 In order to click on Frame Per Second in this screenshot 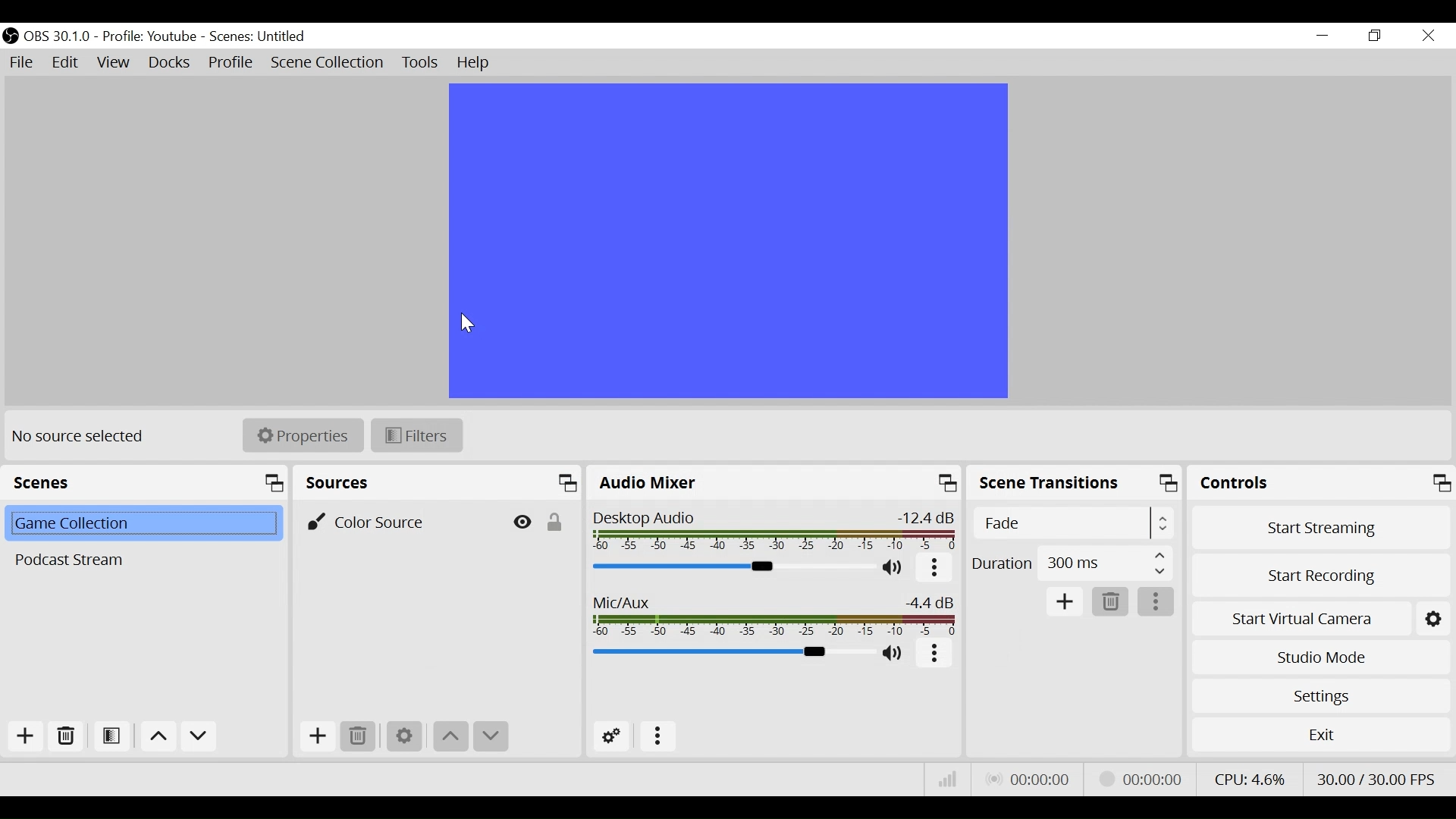, I will do `click(1377, 779)`.